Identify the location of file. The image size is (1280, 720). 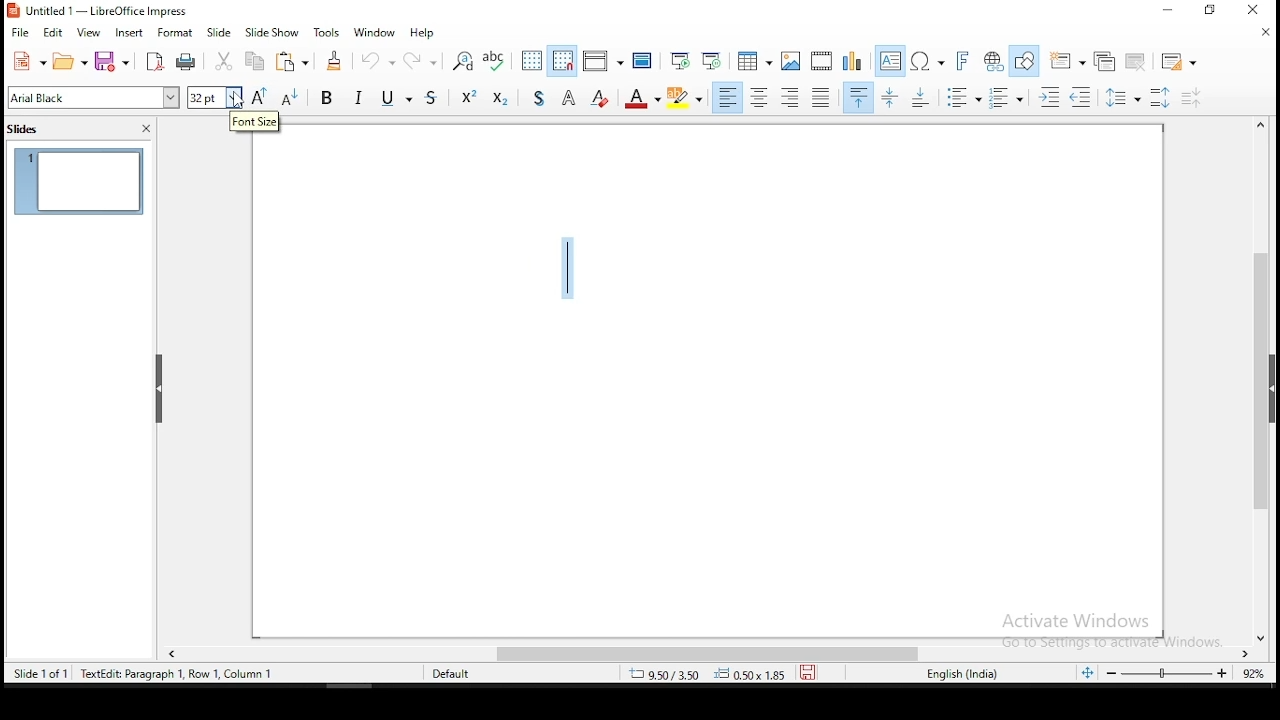
(20, 32).